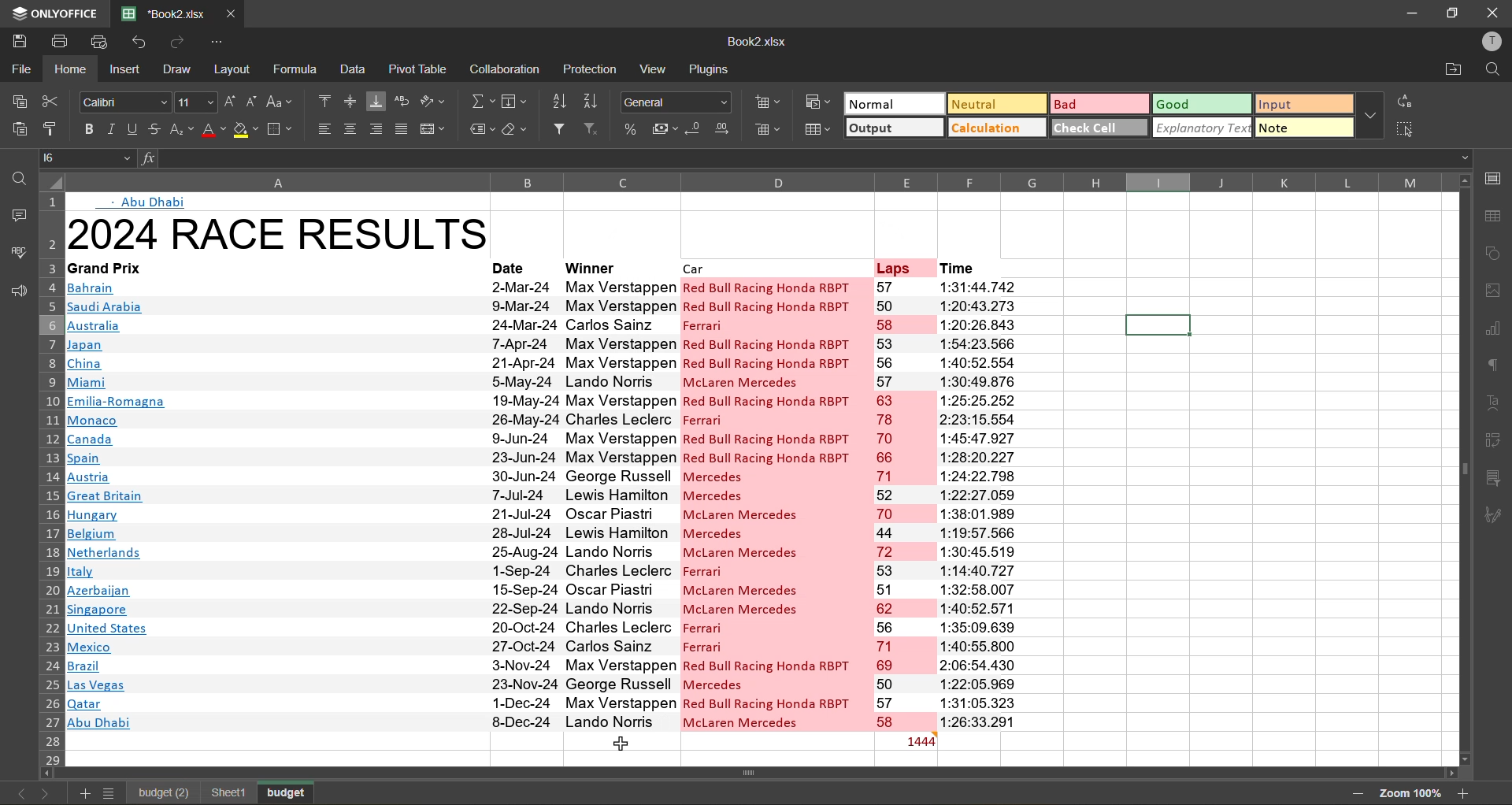 This screenshot has width=1512, height=805. I want to click on scroll bar, so click(786, 774).